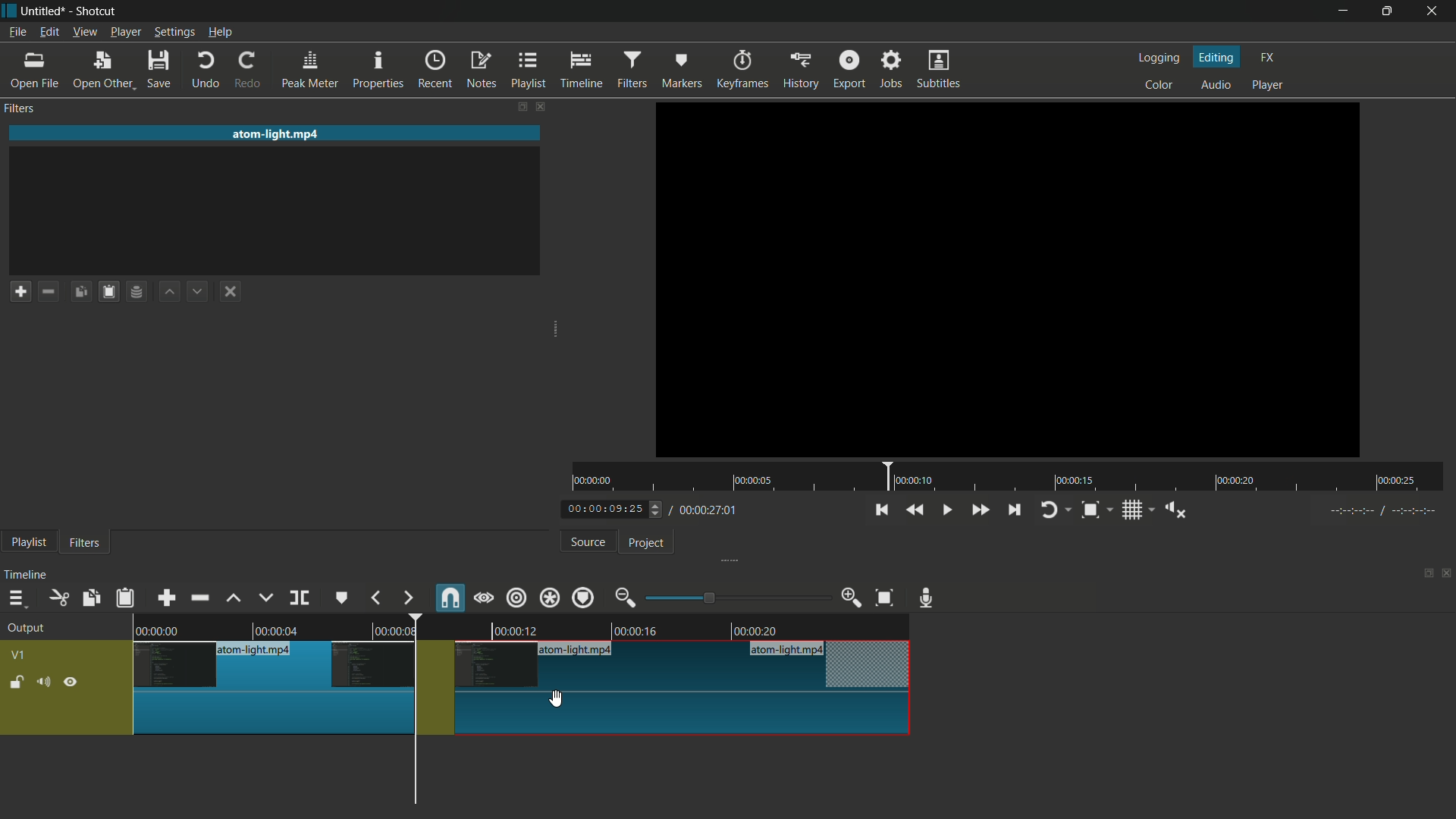 The width and height of the screenshot is (1456, 819). I want to click on zoom in, so click(852, 598).